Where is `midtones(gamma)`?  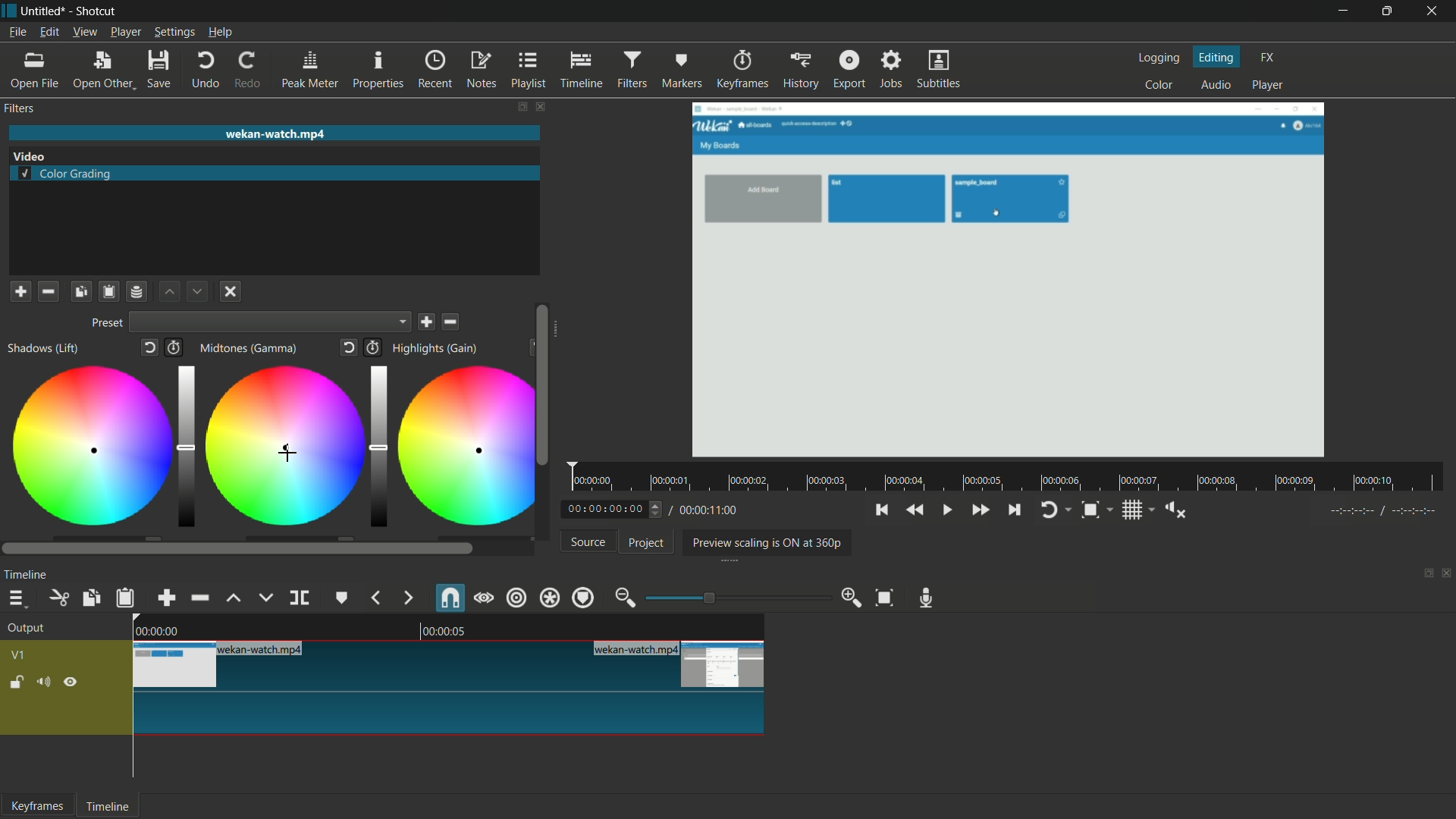
midtones(gamma) is located at coordinates (248, 348).